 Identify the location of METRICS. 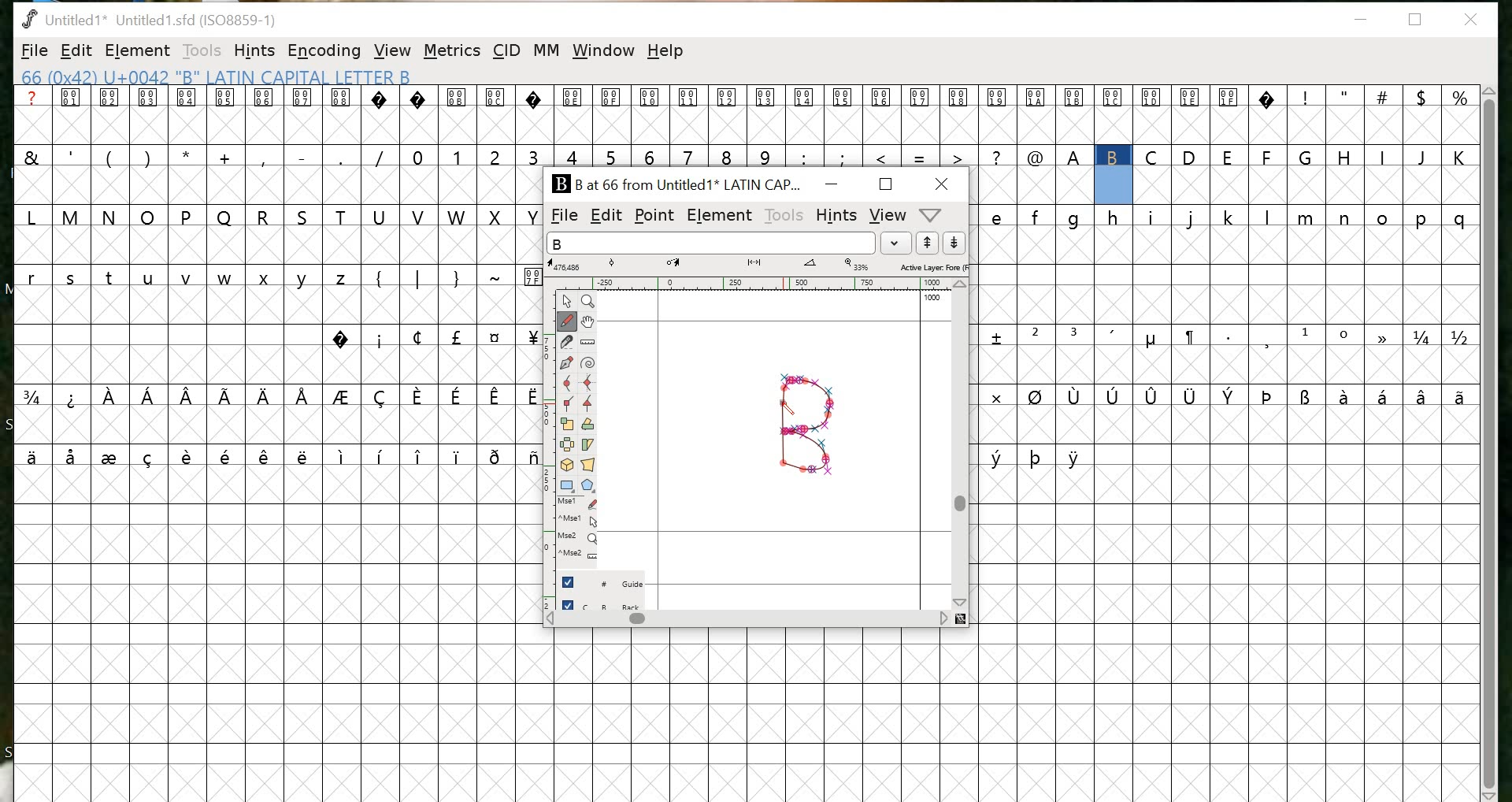
(454, 50).